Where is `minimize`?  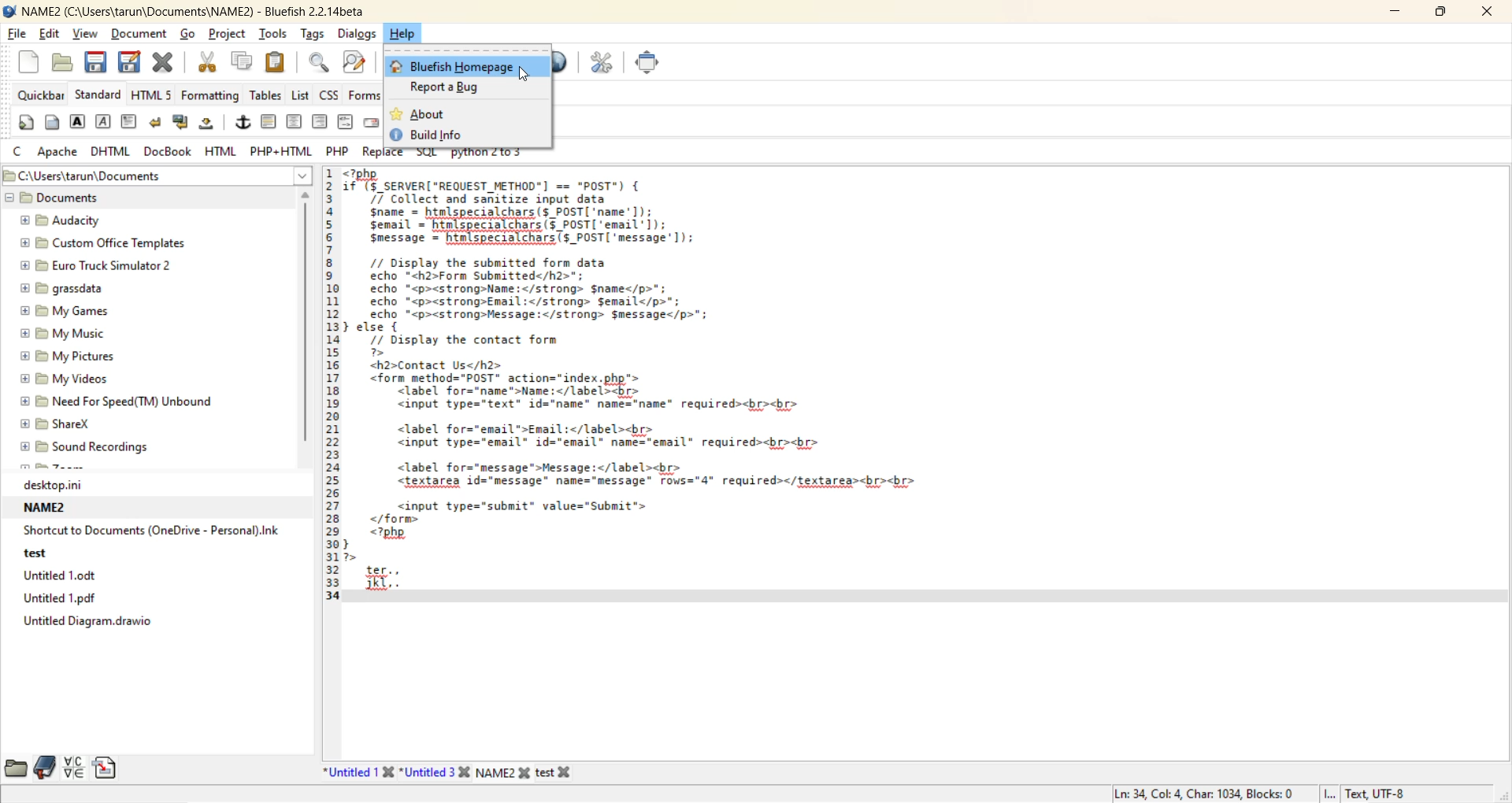
minimize is located at coordinates (1388, 9).